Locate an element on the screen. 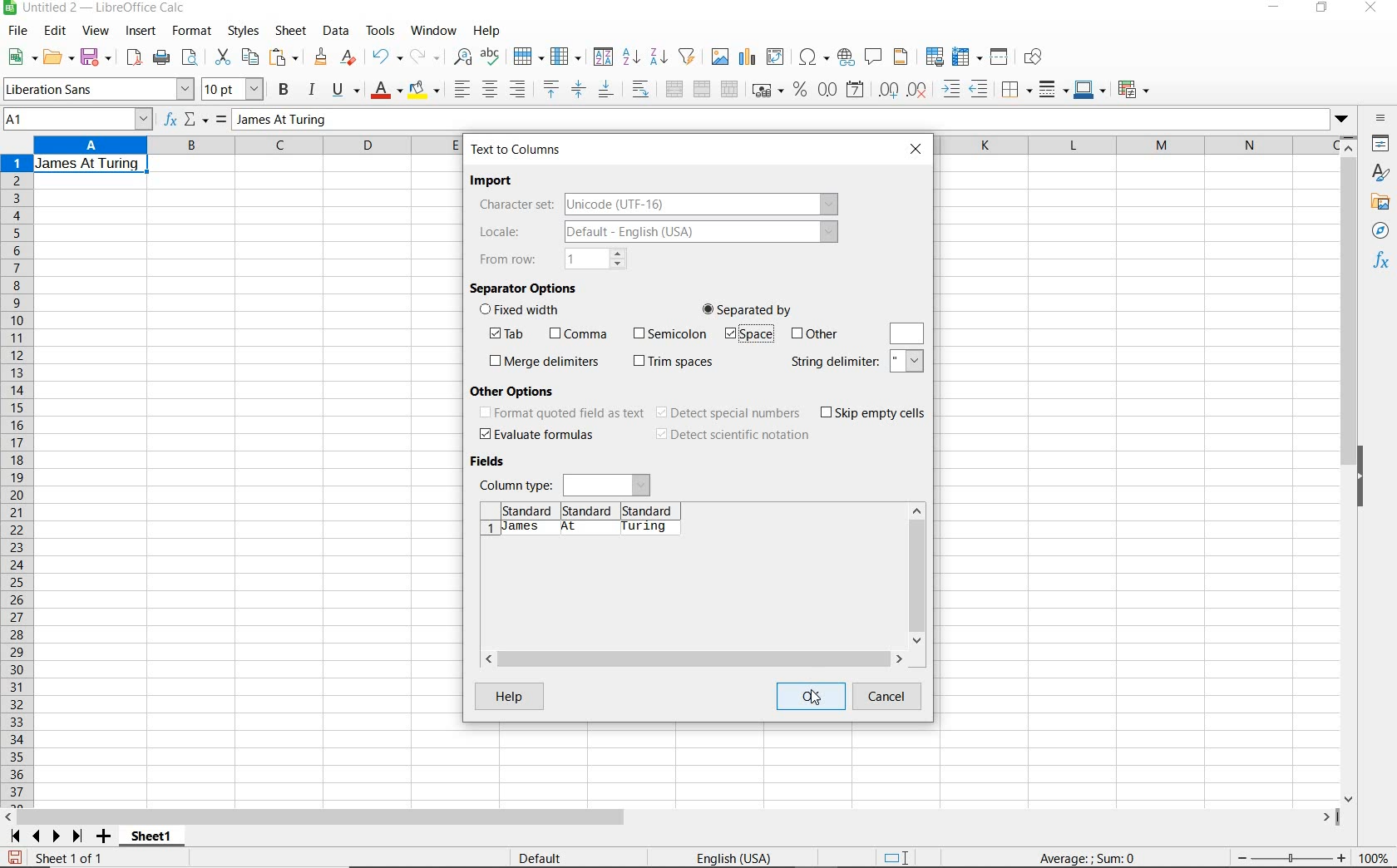  edit is located at coordinates (57, 32).